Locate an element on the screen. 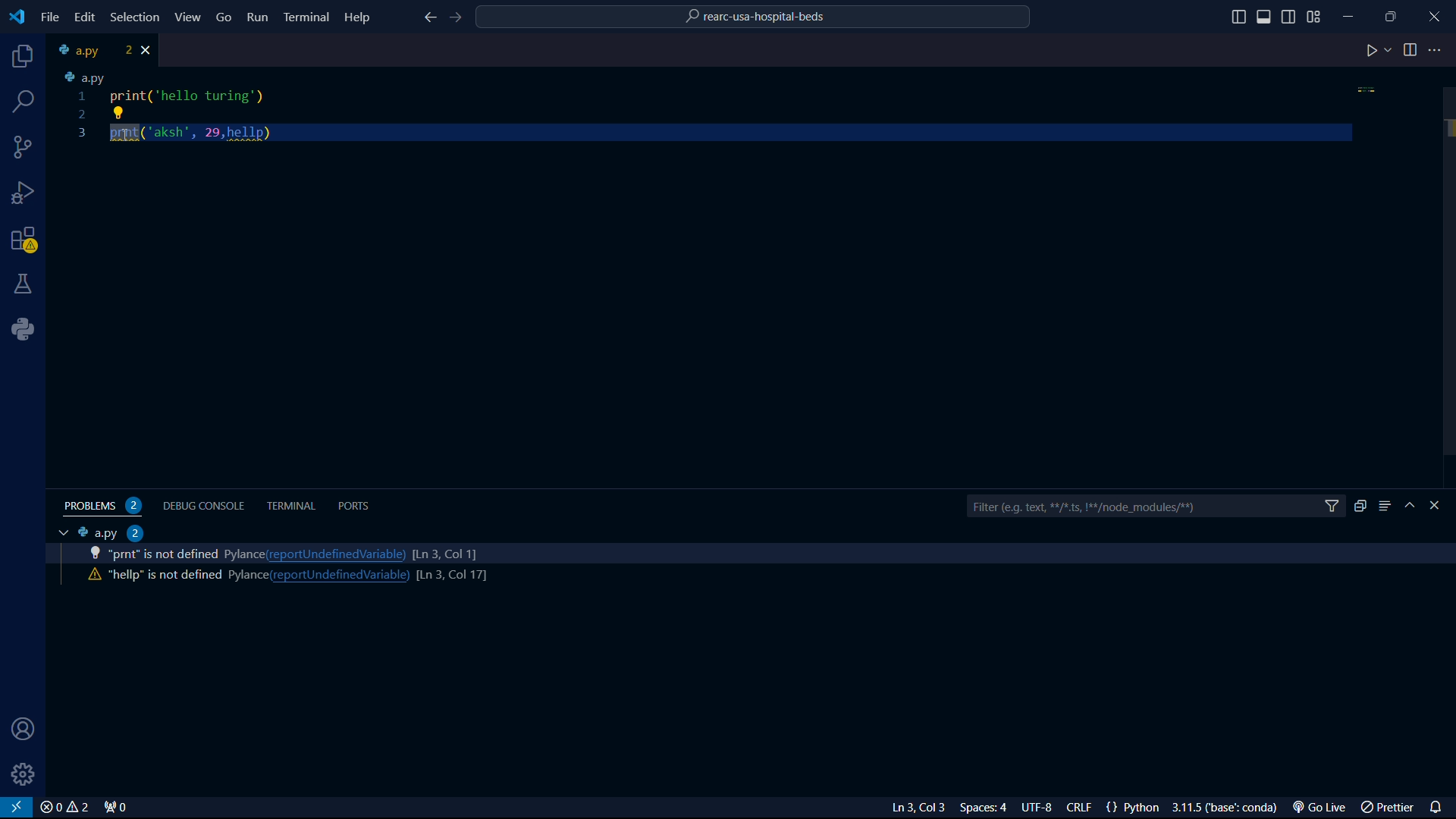 Image resolution: width=1456 pixels, height=819 pixels. hide is located at coordinates (1412, 507).